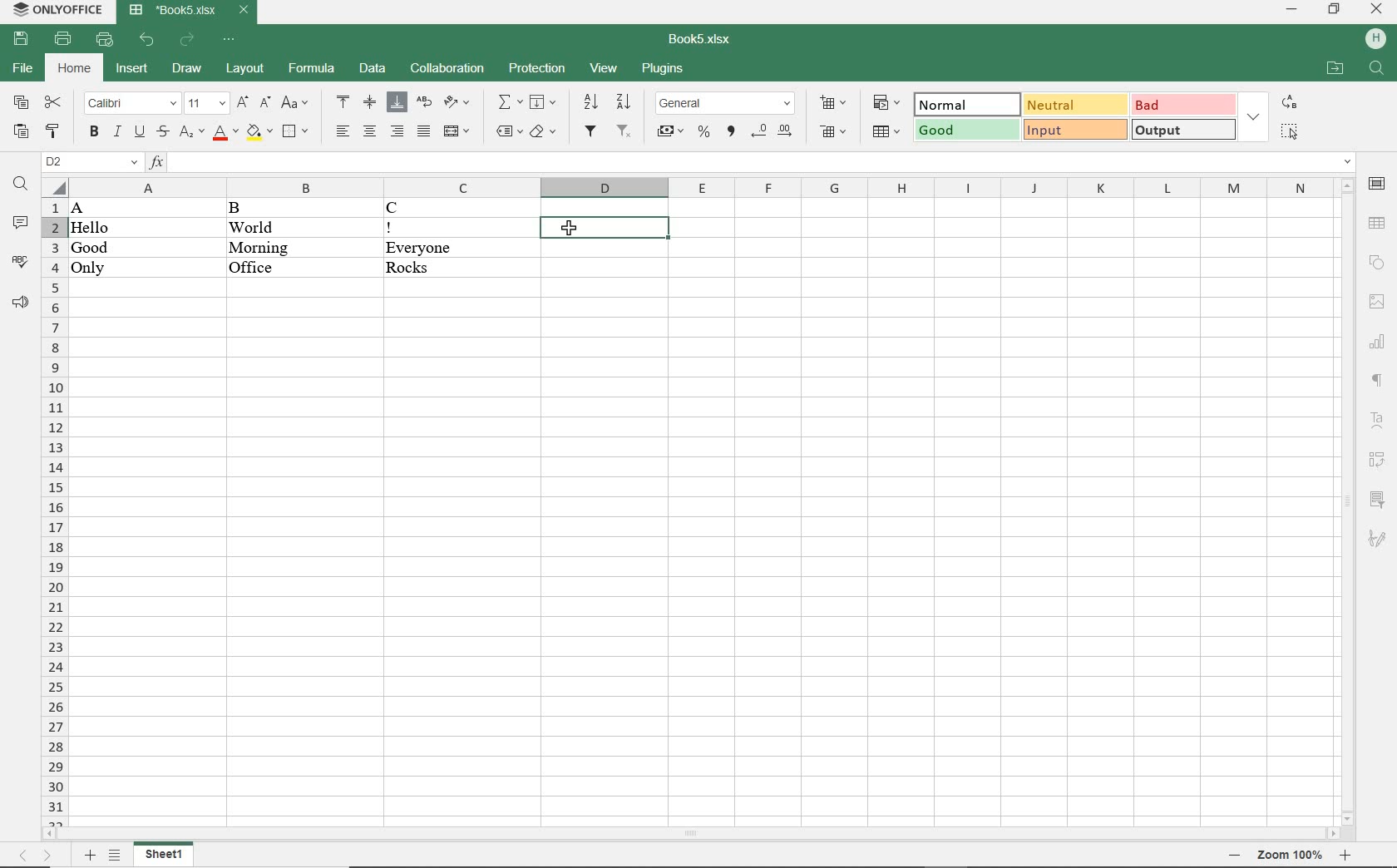 The image size is (1397, 868). What do you see at coordinates (887, 103) in the screenshot?
I see `CONDITIONAL FORMATTING` at bounding box center [887, 103].